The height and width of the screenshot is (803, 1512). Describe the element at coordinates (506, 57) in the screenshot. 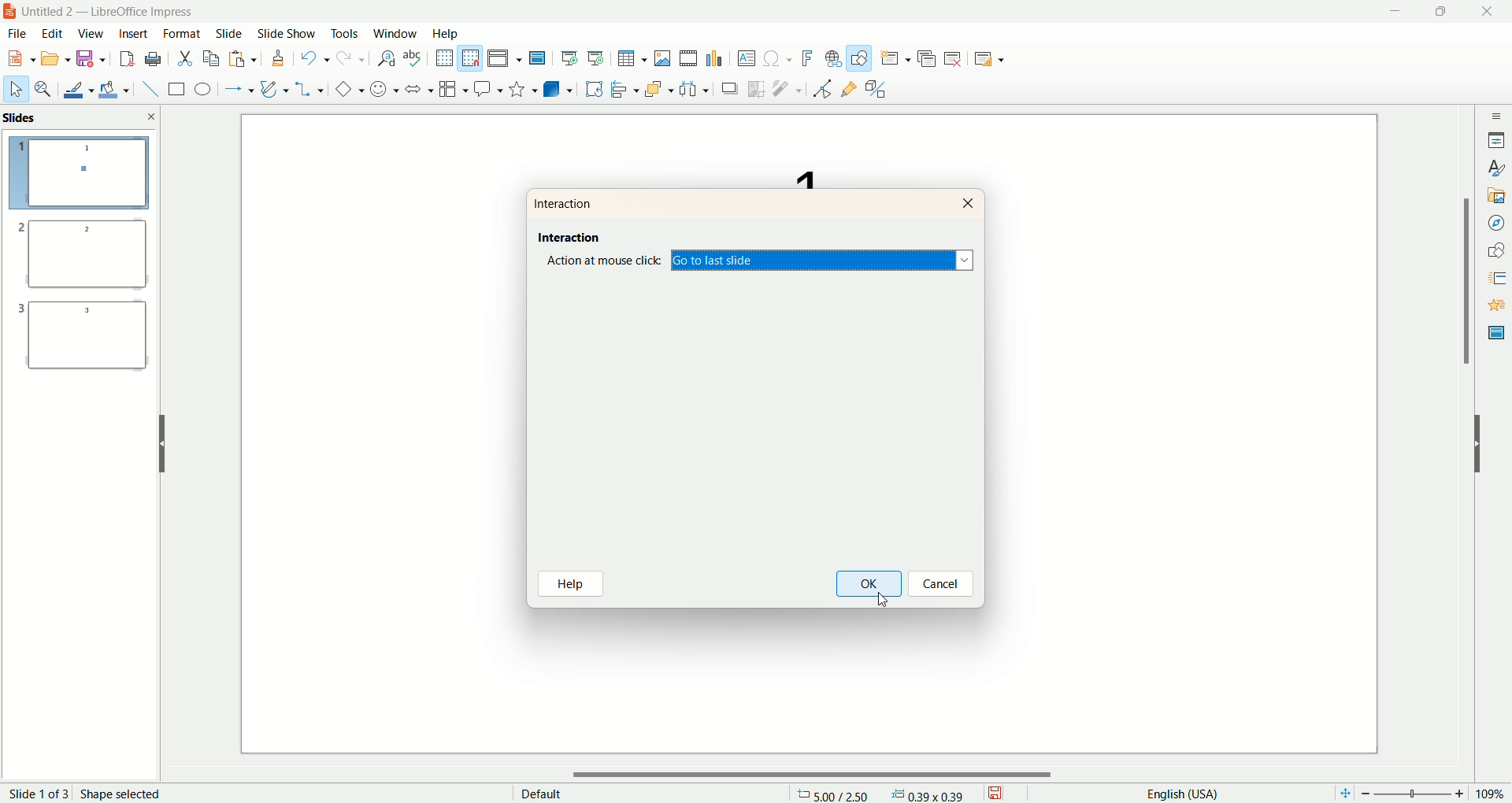

I see `display view` at that location.